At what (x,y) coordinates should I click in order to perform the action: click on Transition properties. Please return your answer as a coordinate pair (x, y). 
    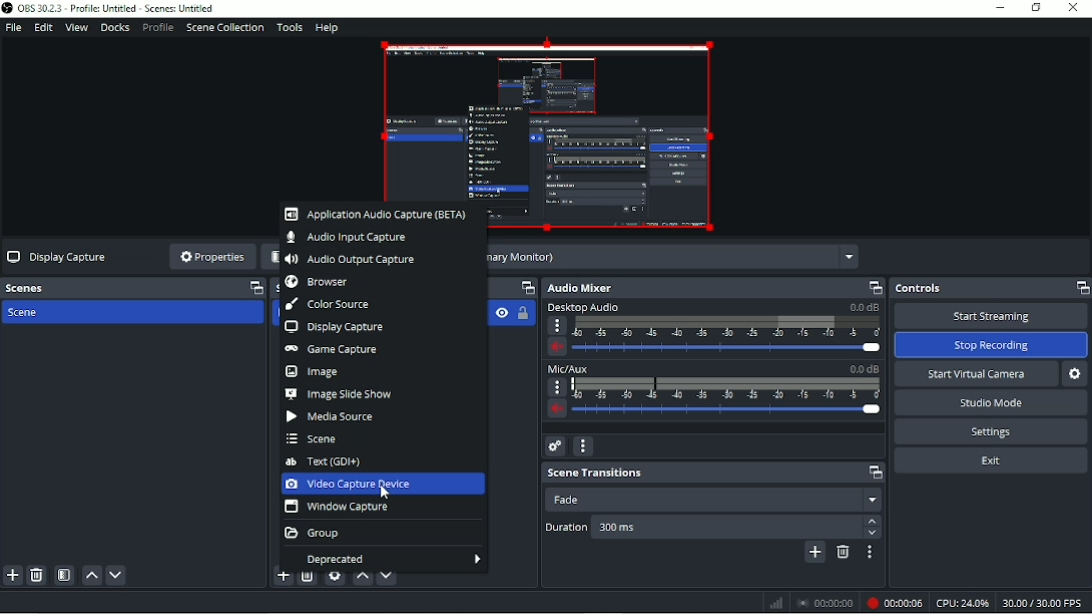
    Looking at the image, I should click on (870, 552).